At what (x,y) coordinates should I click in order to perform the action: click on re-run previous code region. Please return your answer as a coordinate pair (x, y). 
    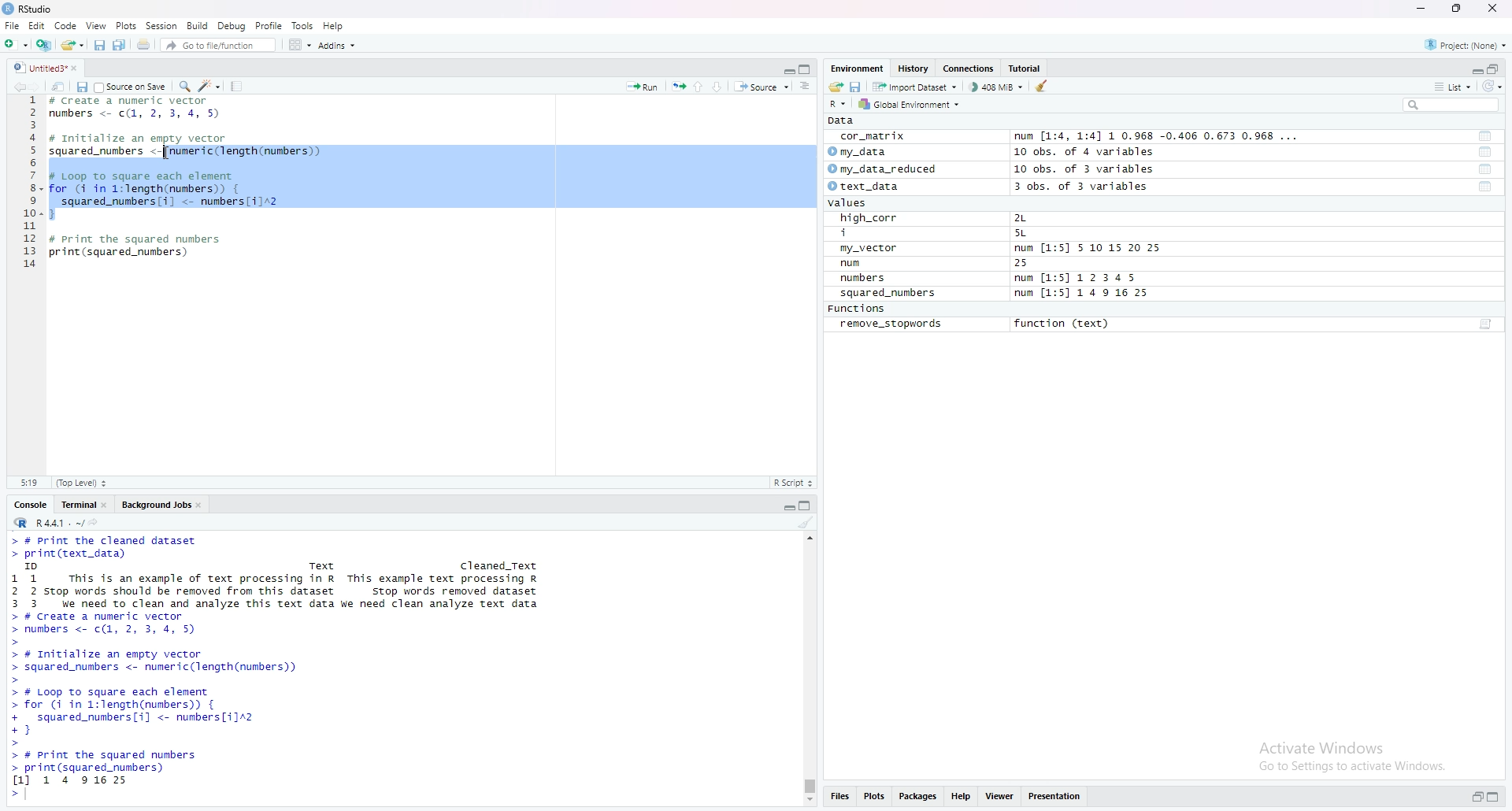
    Looking at the image, I should click on (678, 85).